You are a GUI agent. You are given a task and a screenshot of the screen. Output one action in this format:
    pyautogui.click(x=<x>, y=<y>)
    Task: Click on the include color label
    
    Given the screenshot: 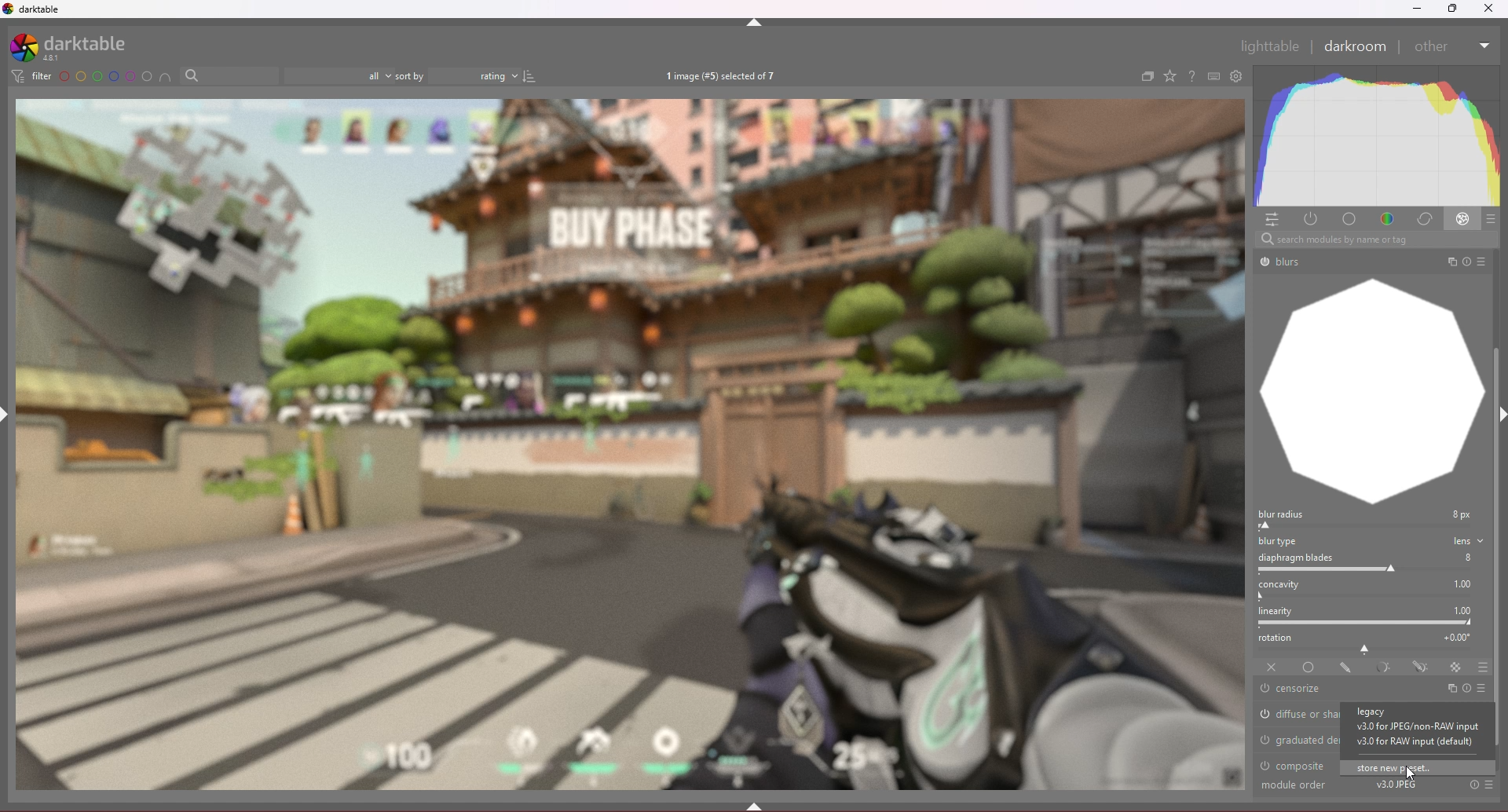 What is the action you would take?
    pyautogui.click(x=164, y=76)
    